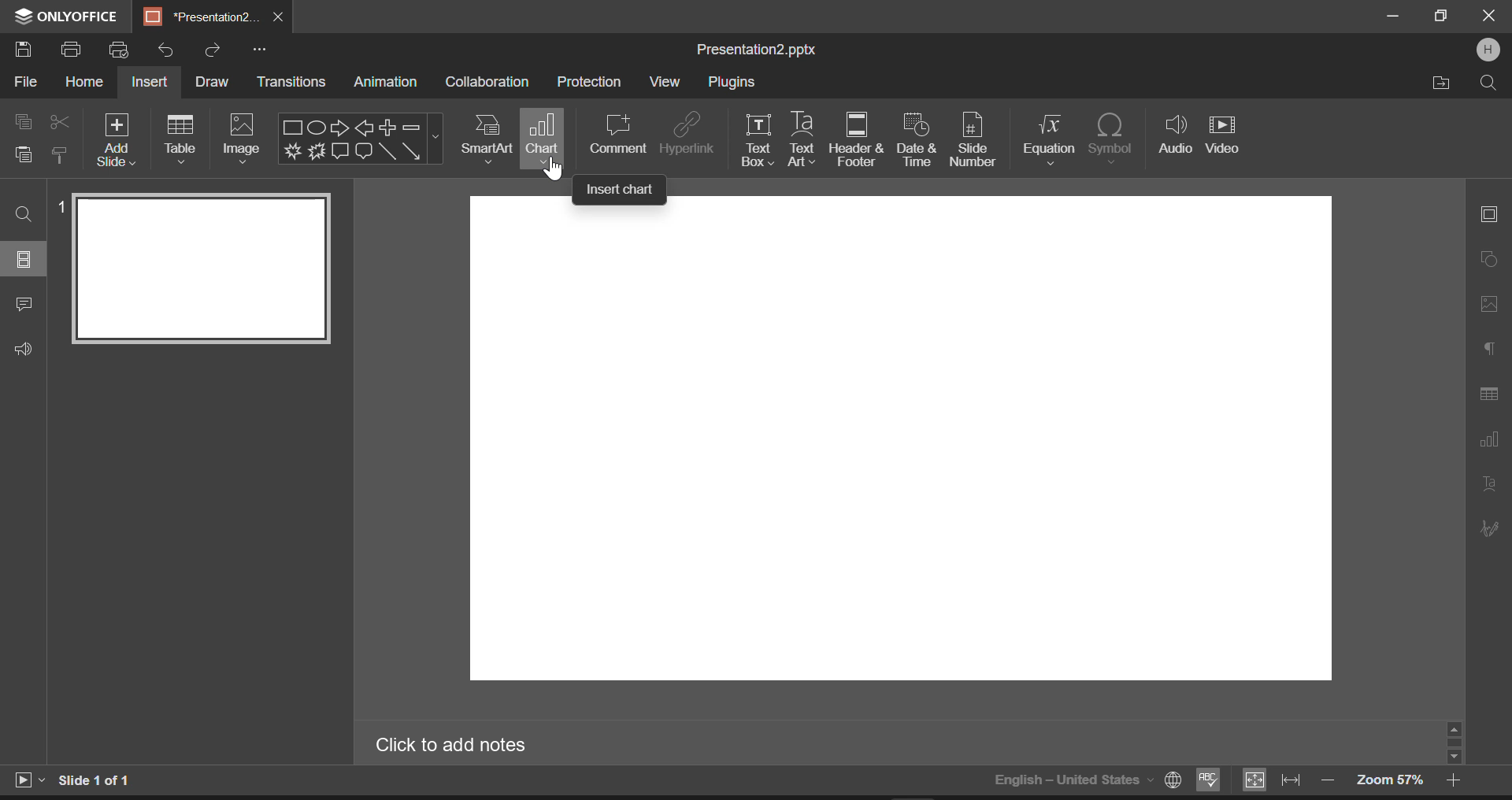 The width and height of the screenshot is (1512, 800). Describe the element at coordinates (731, 83) in the screenshot. I see `Plugins` at that location.